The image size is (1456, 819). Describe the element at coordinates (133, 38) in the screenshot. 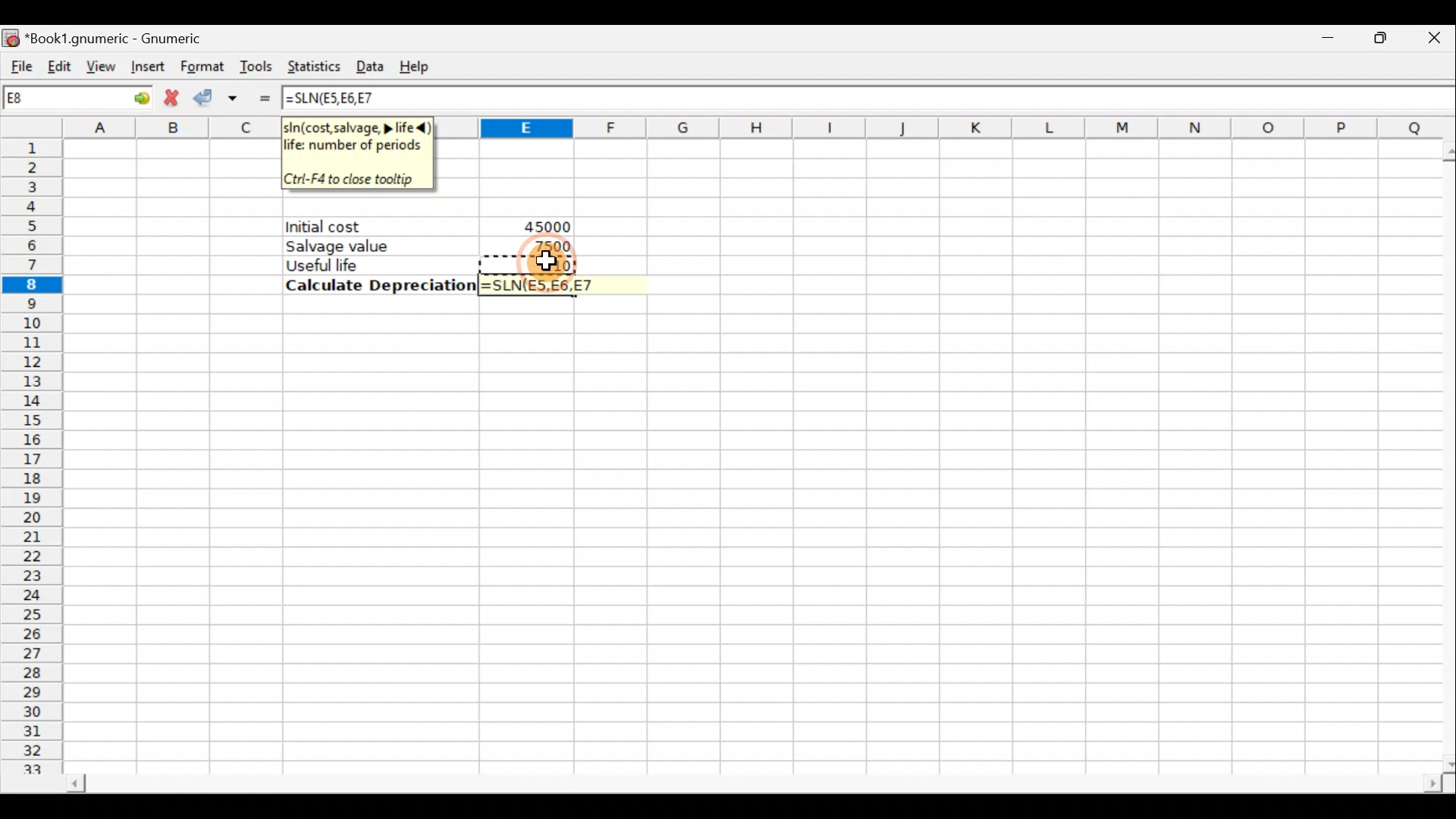

I see `*Book1.gnumeric - Gnumeric` at that location.